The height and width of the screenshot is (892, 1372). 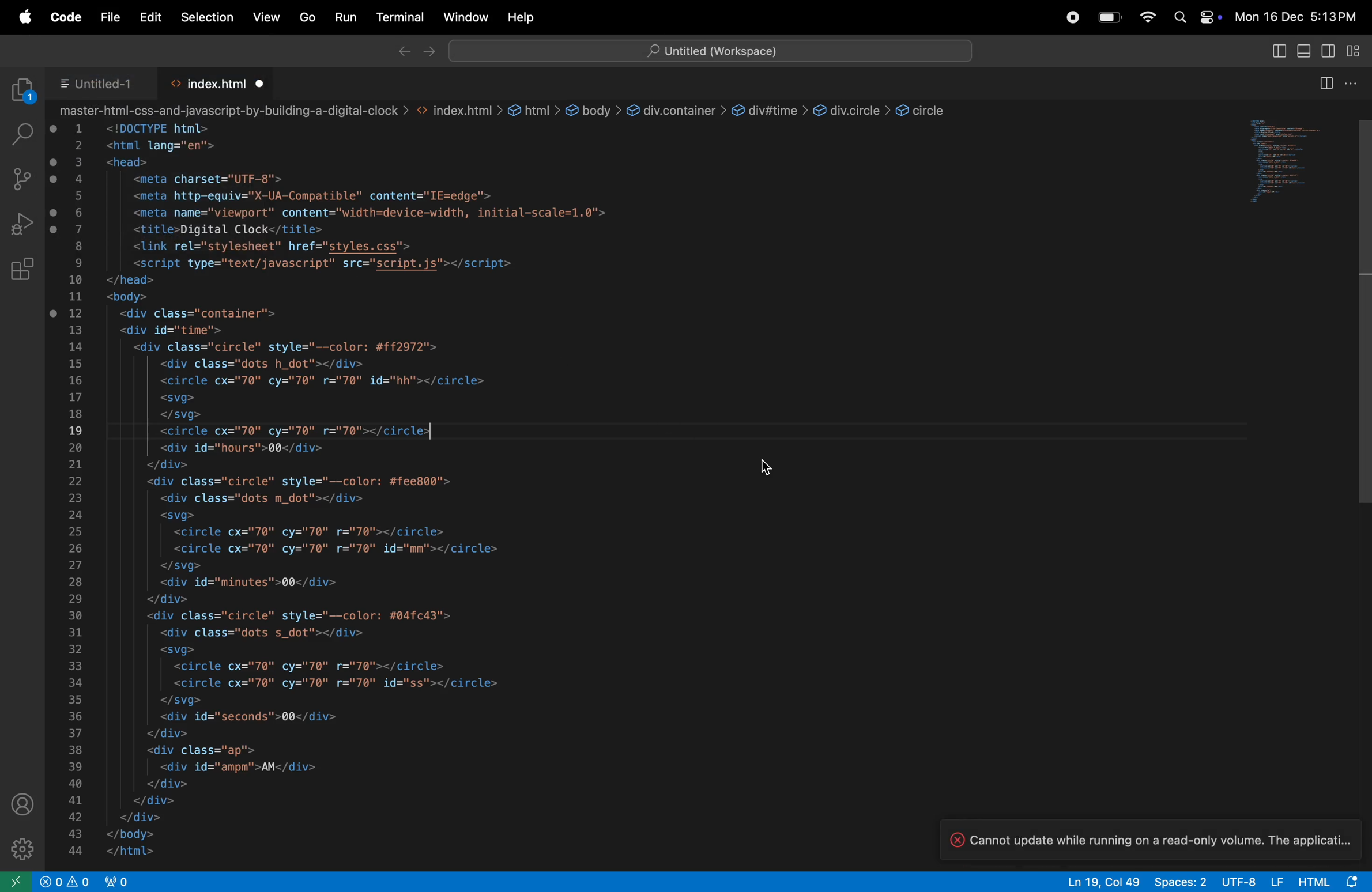 What do you see at coordinates (1103, 881) in the screenshot?
I see `Ln 19, Col 49` at bounding box center [1103, 881].